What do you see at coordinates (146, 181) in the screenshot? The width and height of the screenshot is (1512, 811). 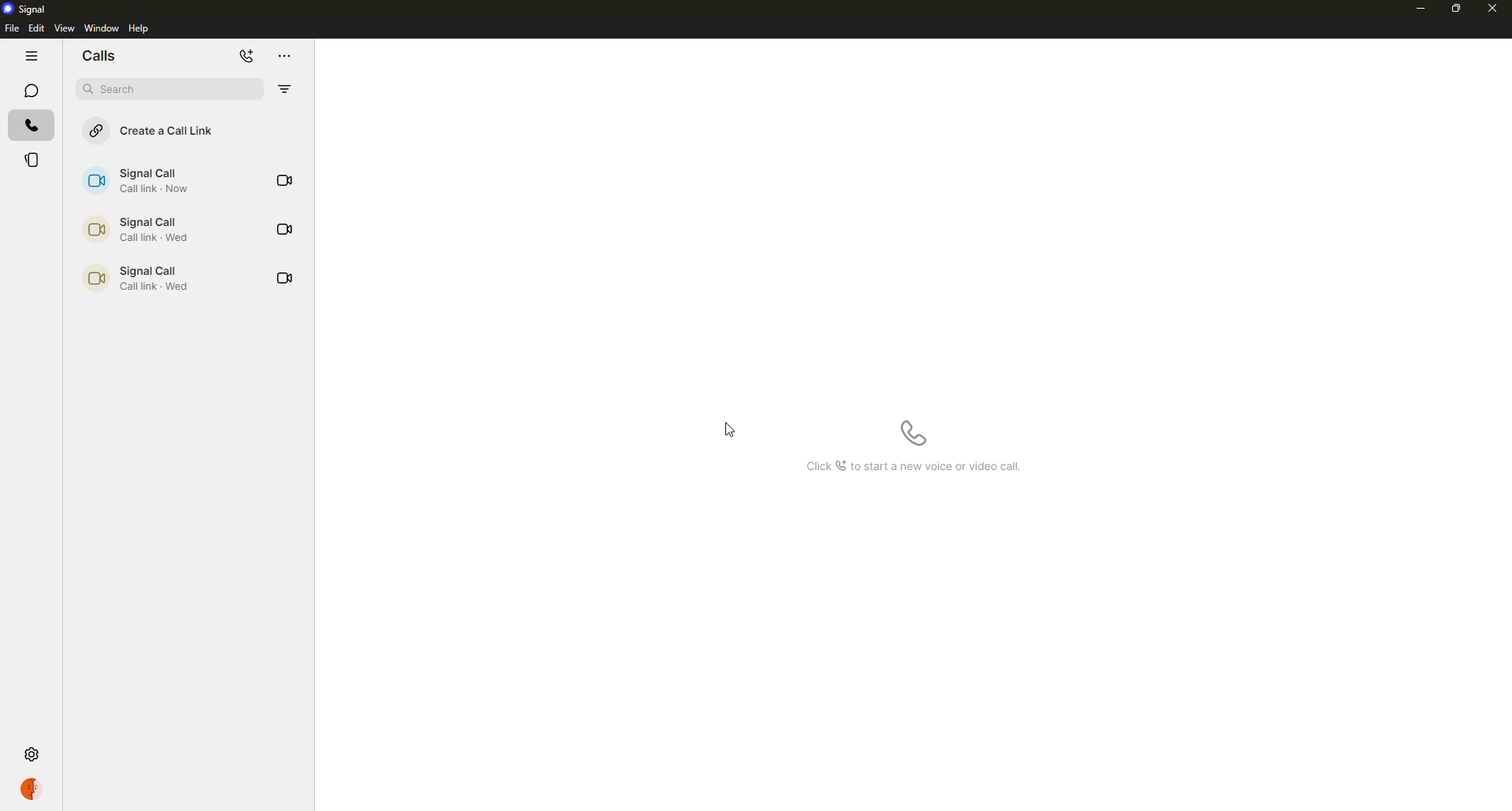 I see `call link` at bounding box center [146, 181].